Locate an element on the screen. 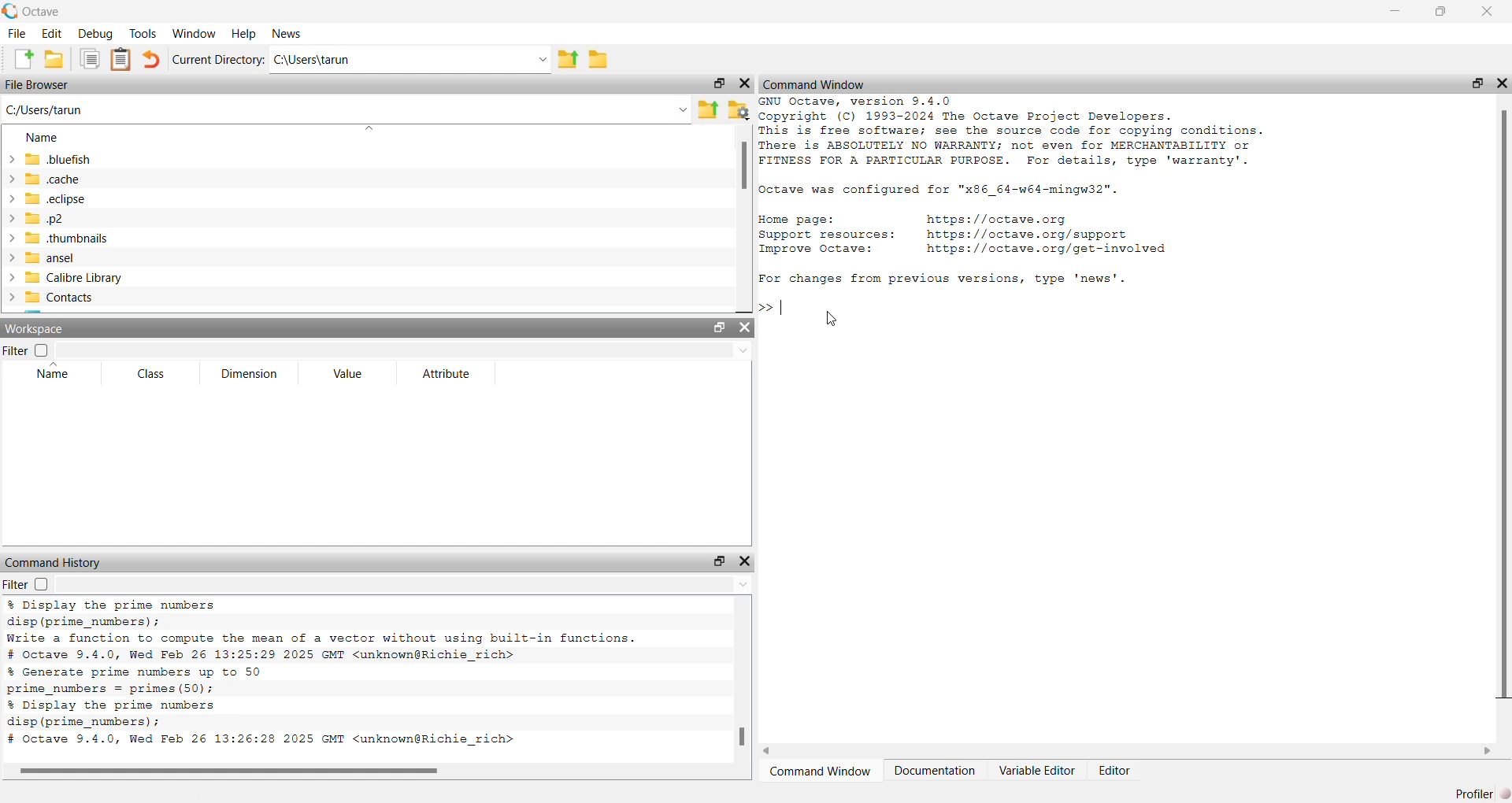 The height and width of the screenshot is (803, 1512). octave is located at coordinates (44, 12).